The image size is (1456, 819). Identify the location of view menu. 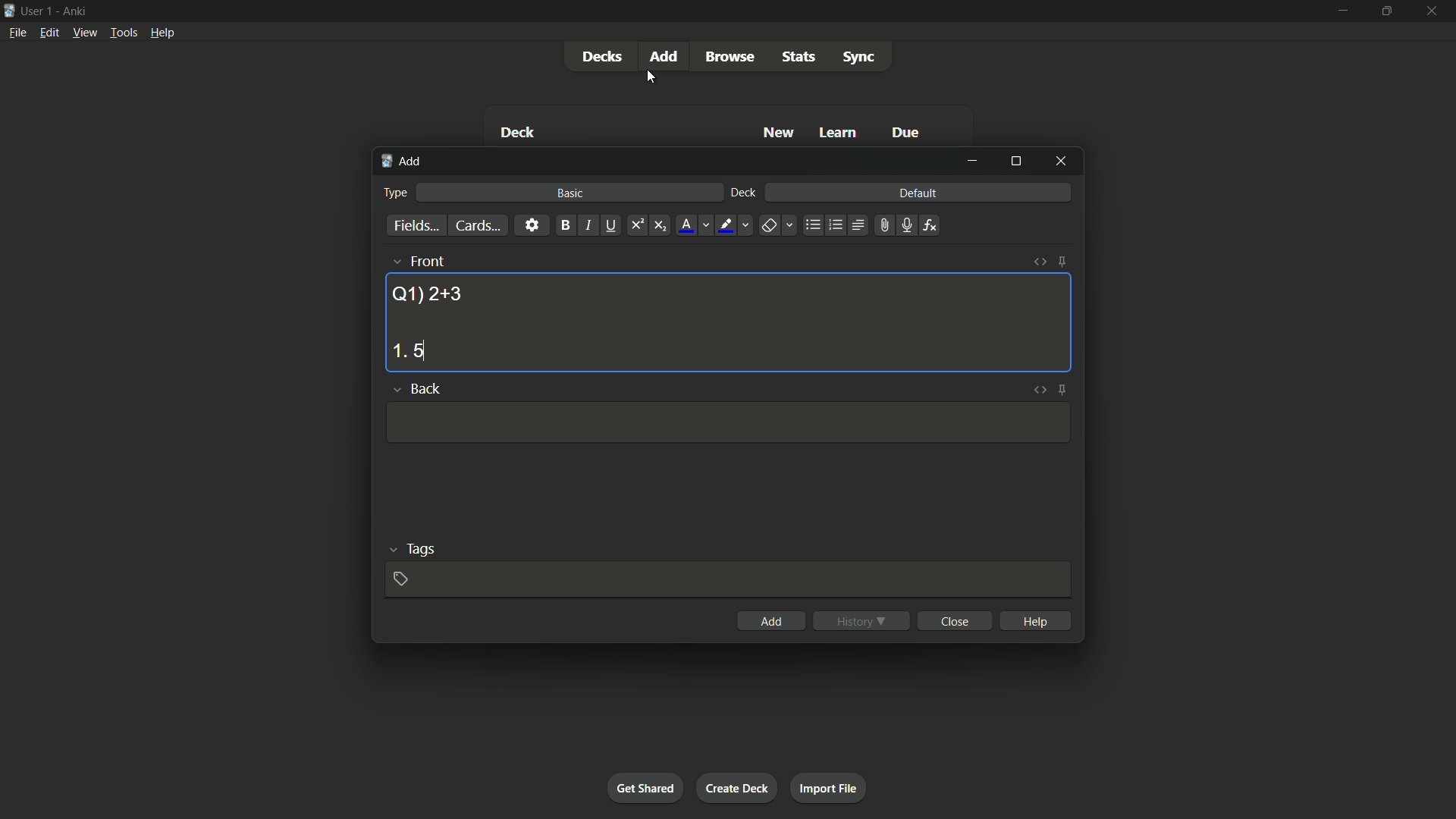
(83, 31).